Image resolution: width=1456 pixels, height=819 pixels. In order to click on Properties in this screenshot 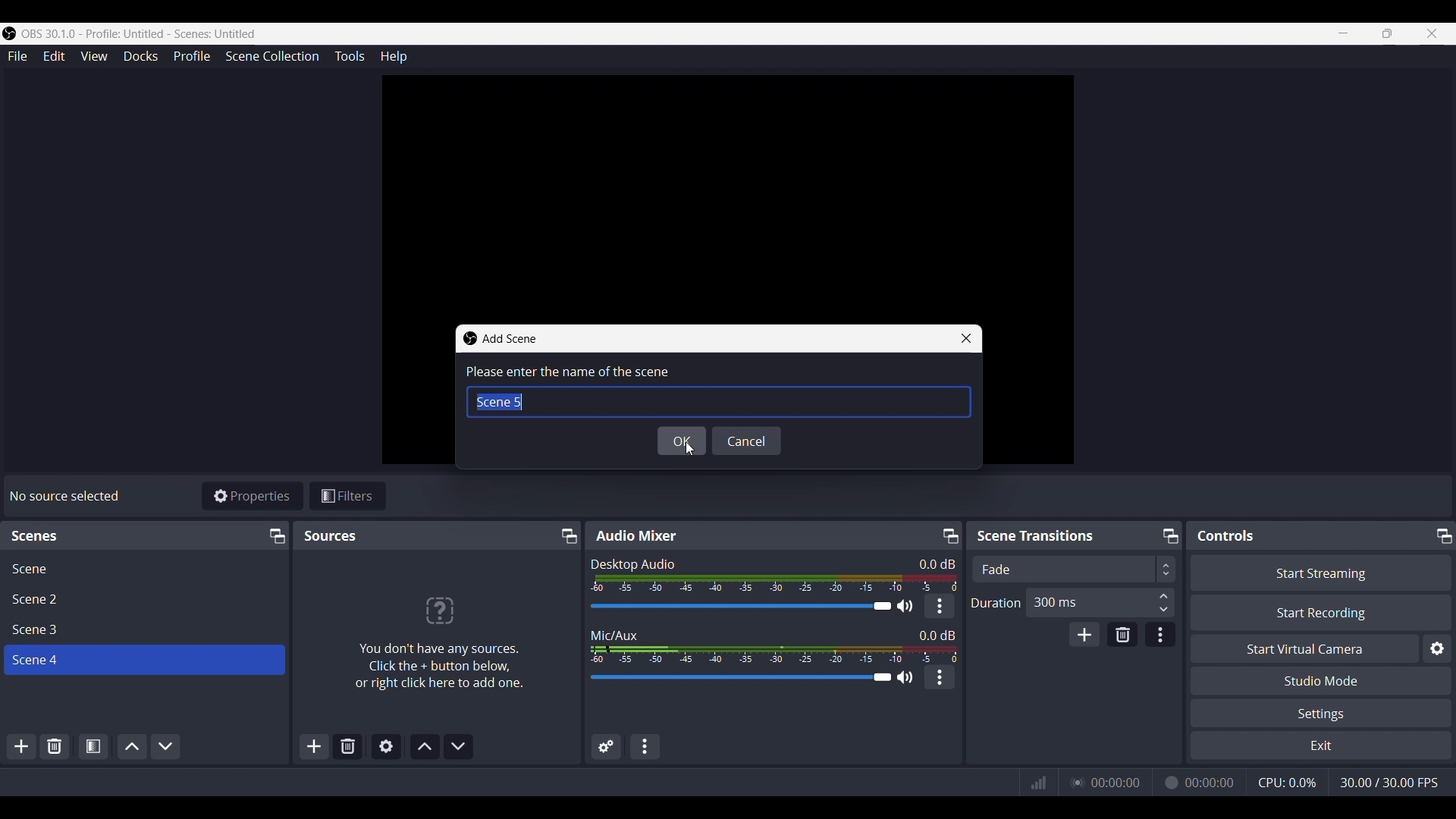, I will do `click(253, 496)`.